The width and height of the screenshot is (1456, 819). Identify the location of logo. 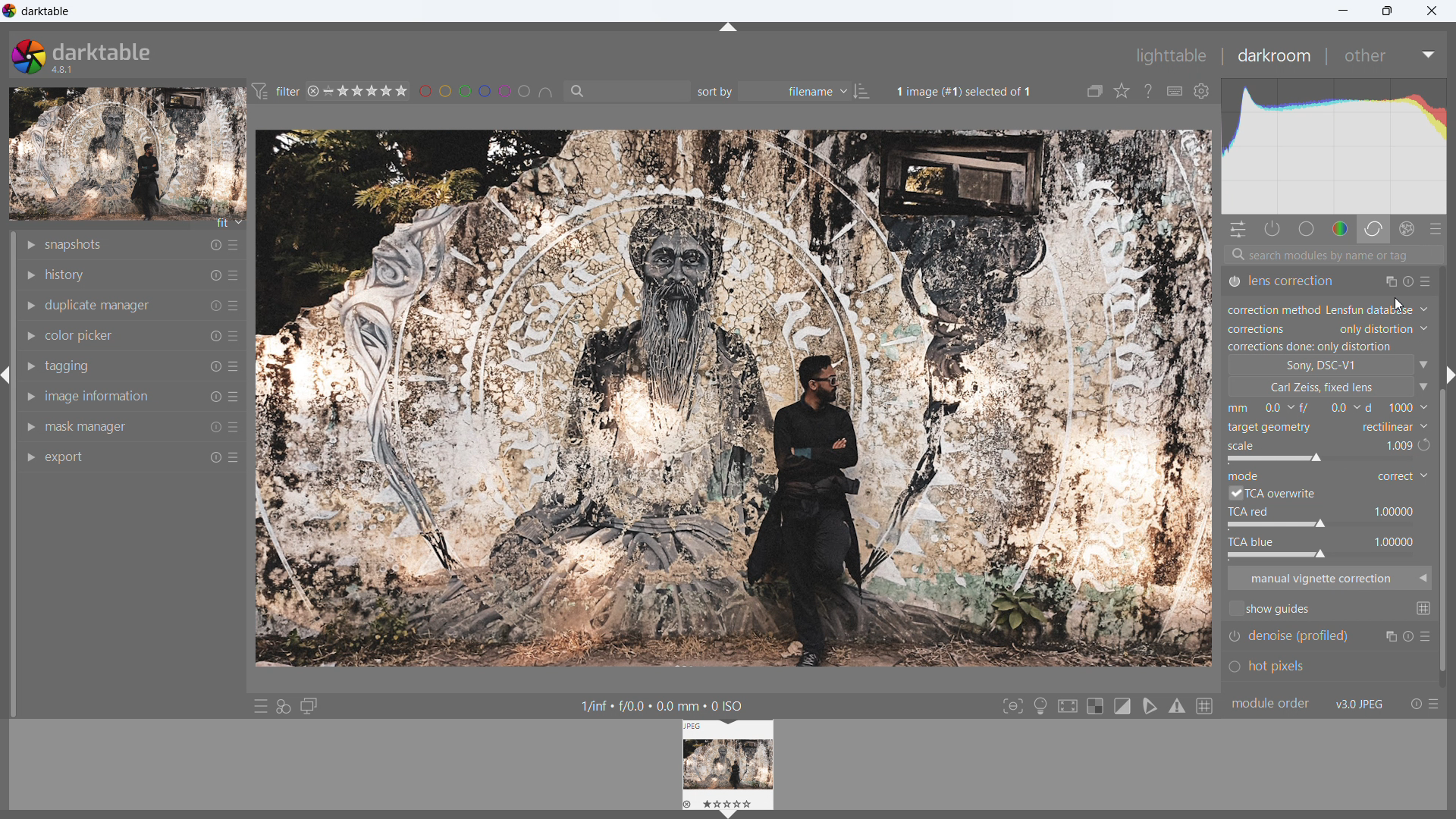
(29, 55).